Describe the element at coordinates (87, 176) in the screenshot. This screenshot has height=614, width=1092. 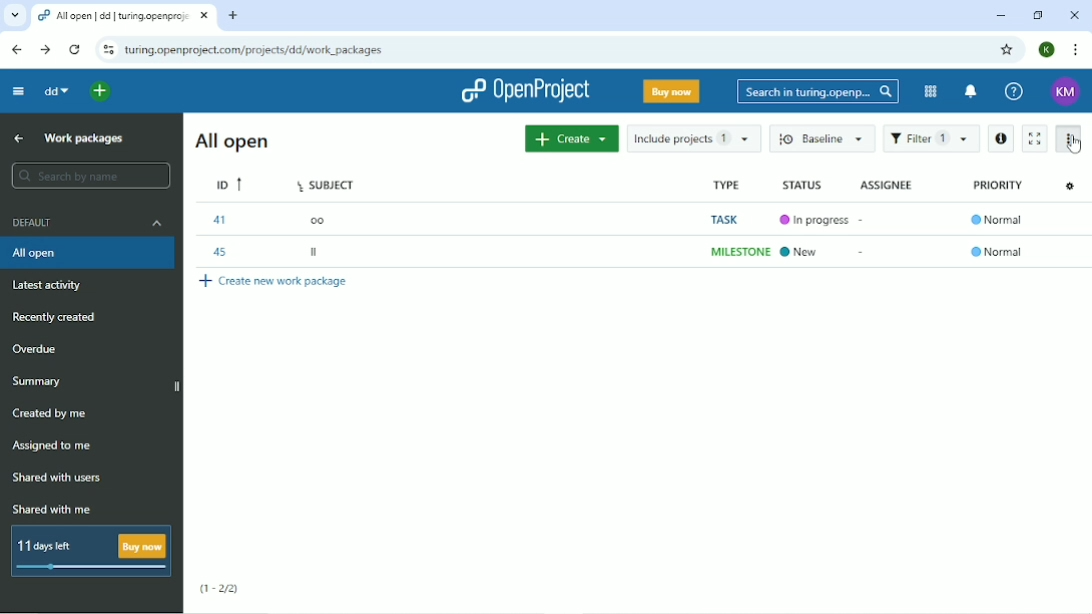
I see `Search by name` at that location.